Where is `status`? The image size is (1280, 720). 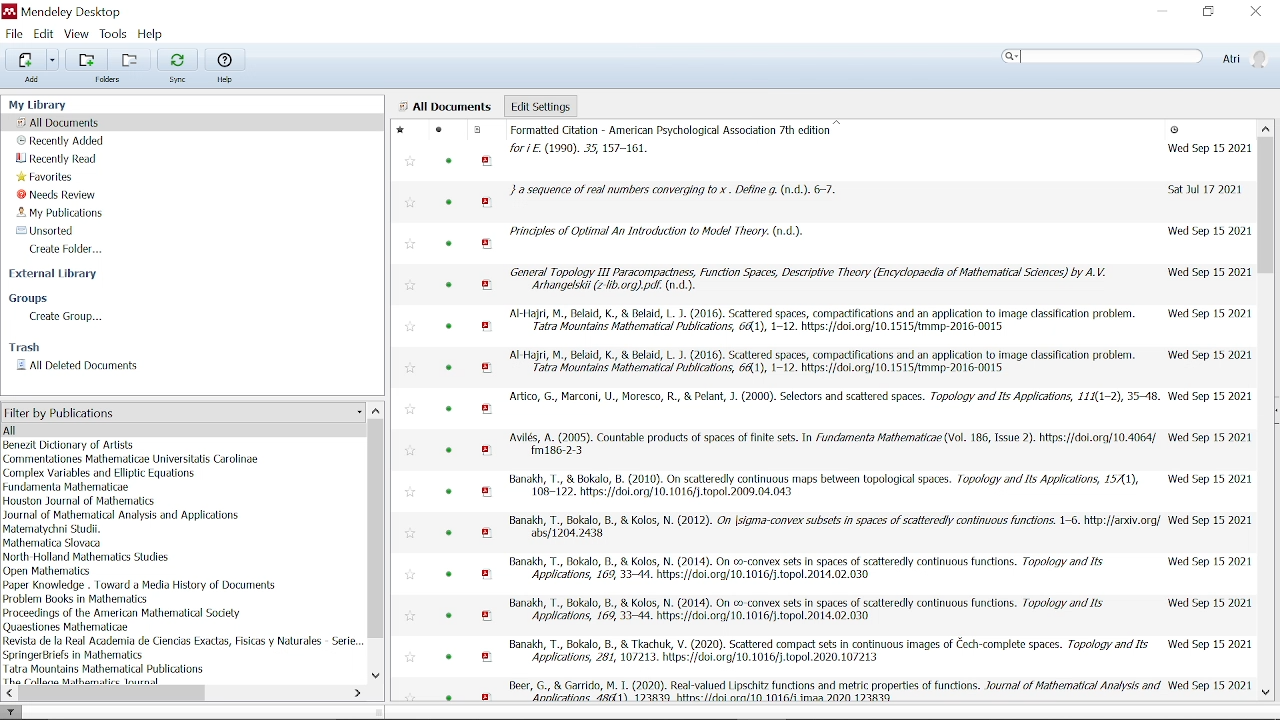 status is located at coordinates (452, 532).